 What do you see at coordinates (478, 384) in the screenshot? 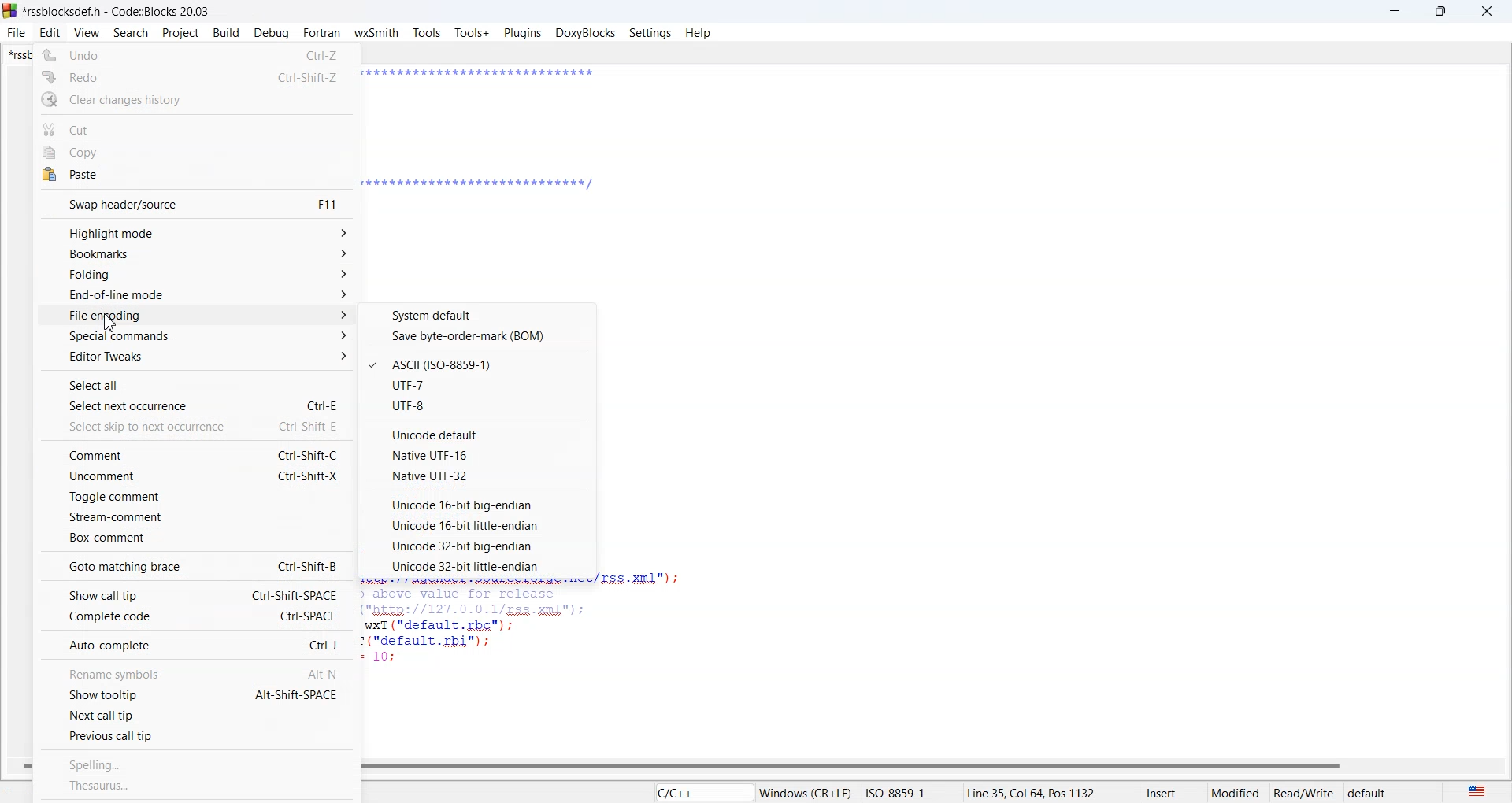
I see `UTF-7` at bounding box center [478, 384].